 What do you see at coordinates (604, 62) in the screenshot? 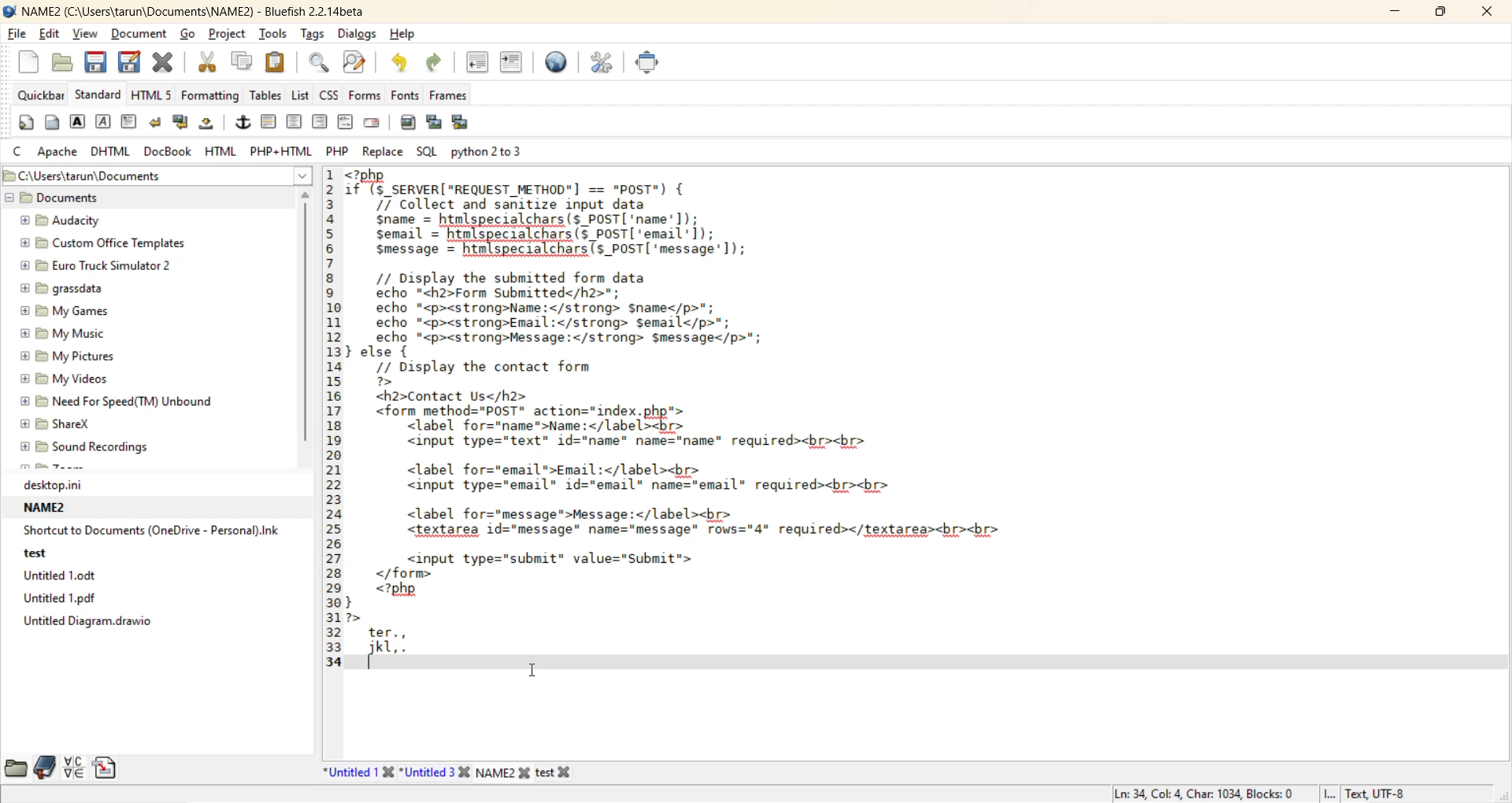
I see `edit preferences` at bounding box center [604, 62].